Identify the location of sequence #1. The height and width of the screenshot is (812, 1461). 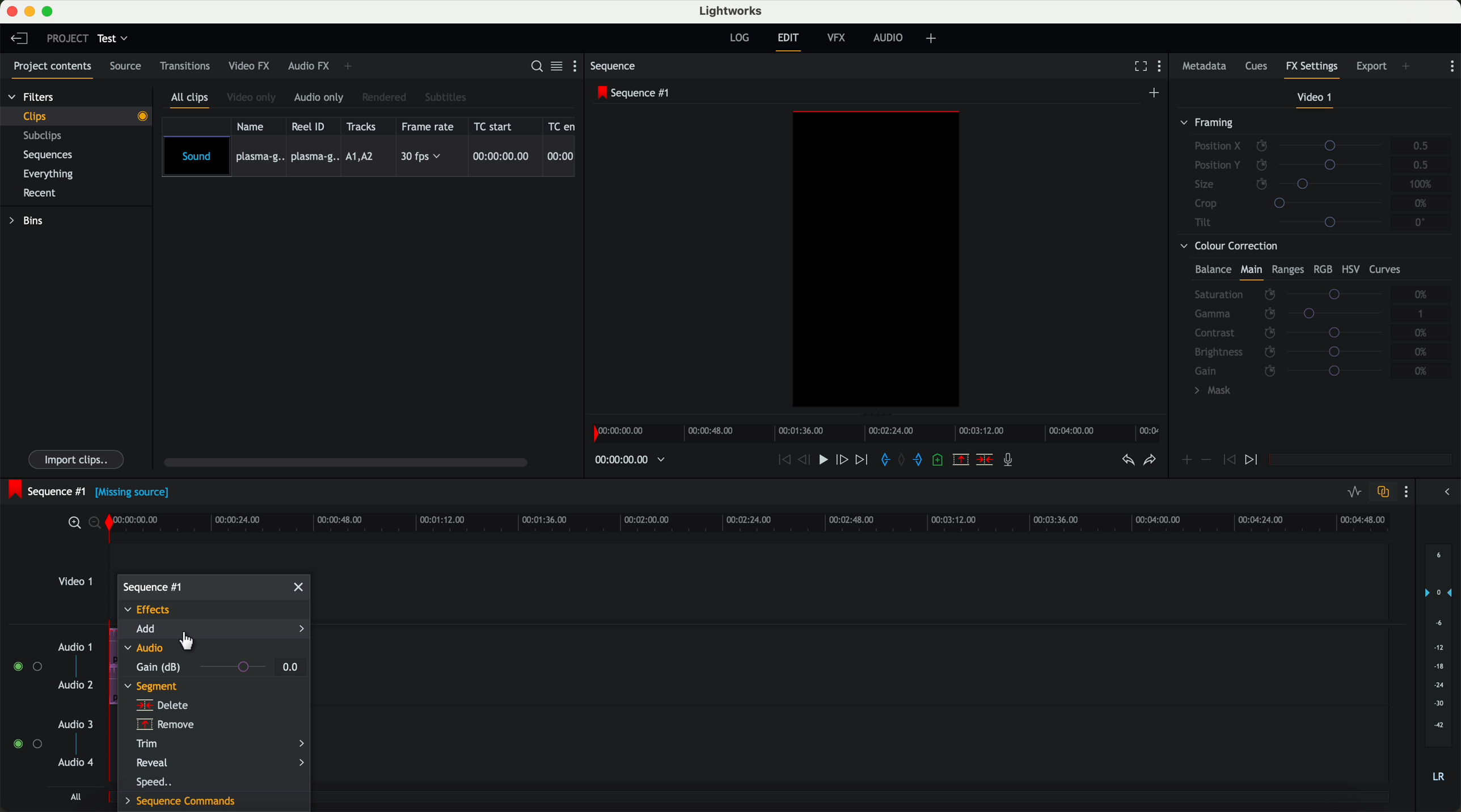
(635, 94).